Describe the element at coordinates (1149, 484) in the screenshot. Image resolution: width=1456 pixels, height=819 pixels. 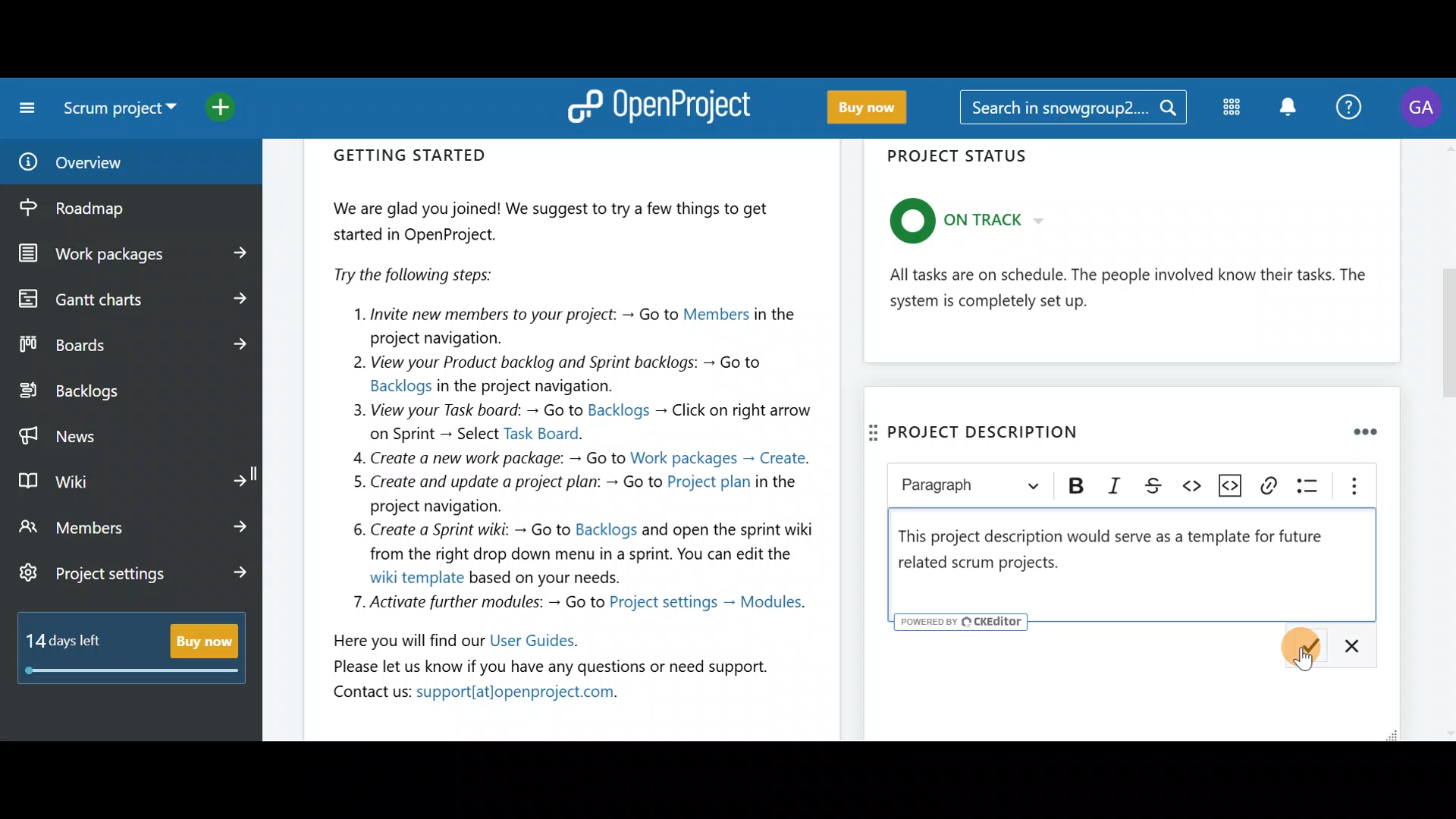
I see `Strikethrough` at that location.